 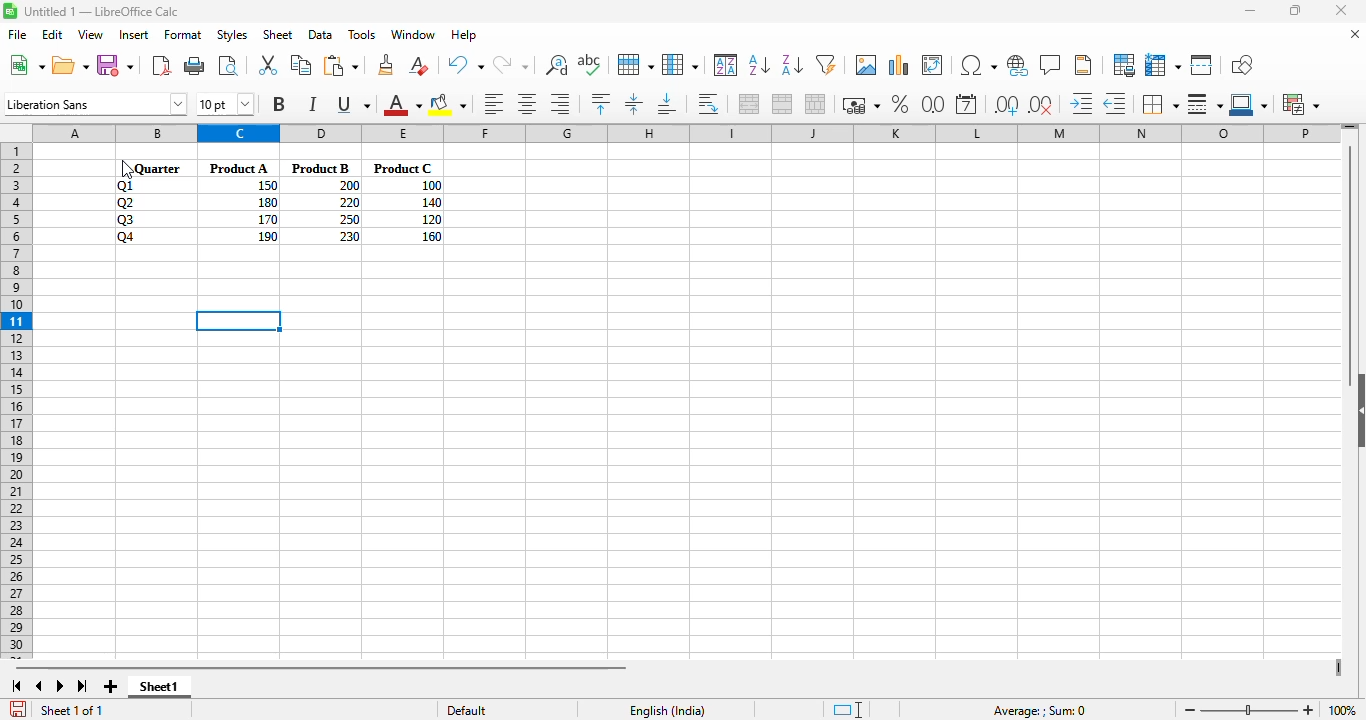 I want to click on open, so click(x=70, y=65).